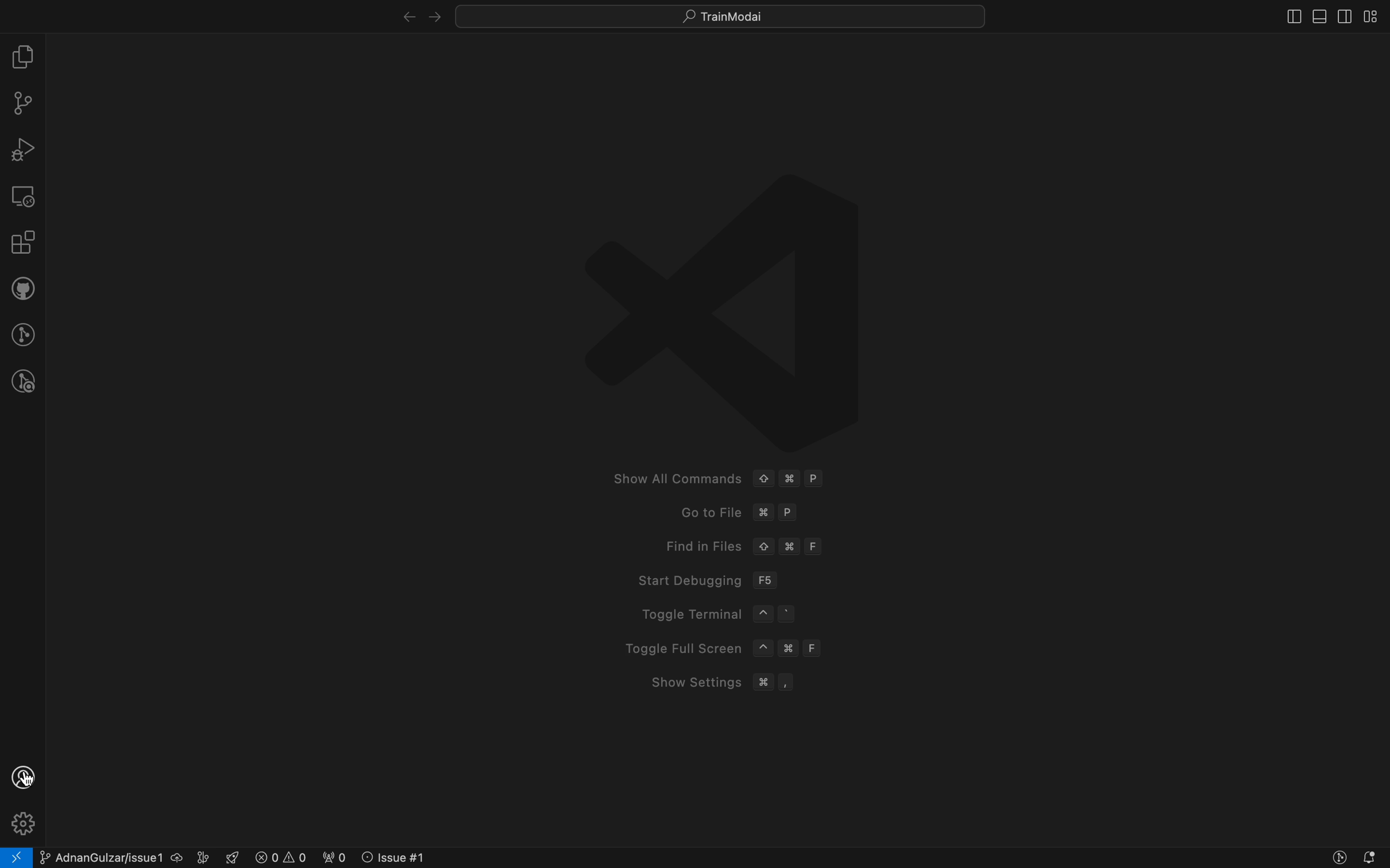 The width and height of the screenshot is (1390, 868). What do you see at coordinates (400, 14) in the screenshot?
I see `right Arrow` at bounding box center [400, 14].